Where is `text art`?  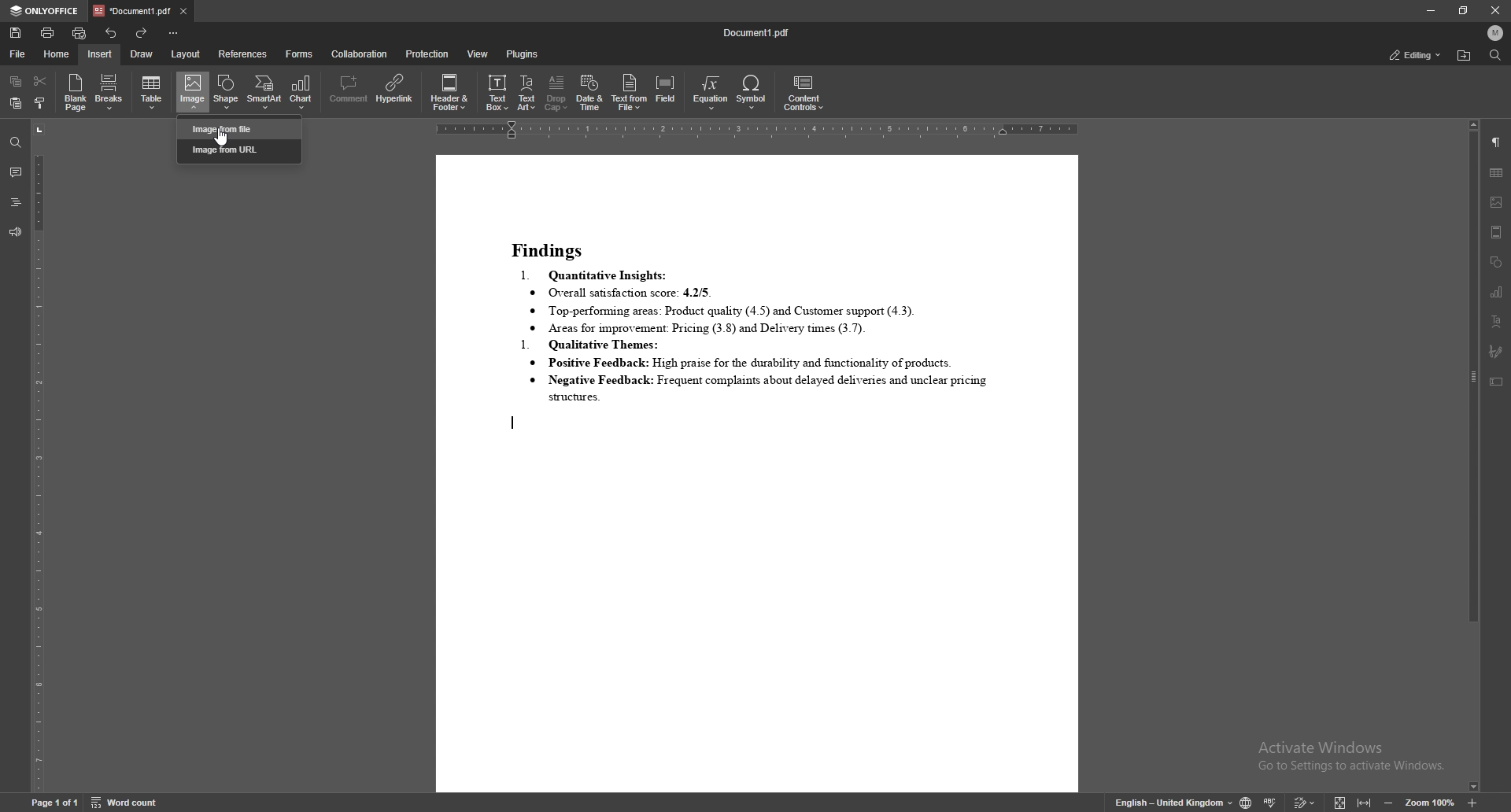 text art is located at coordinates (527, 94).